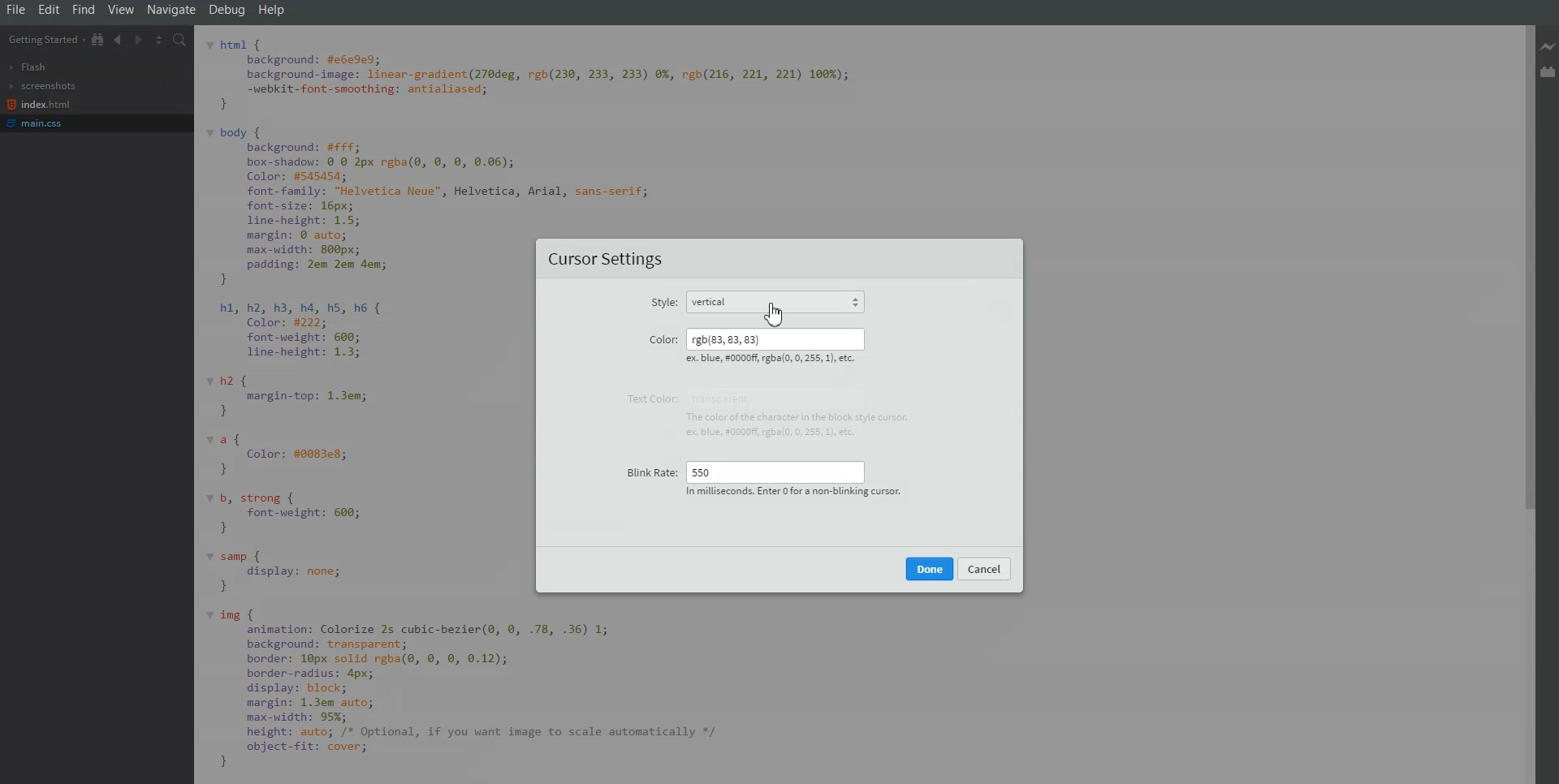 The height and width of the screenshot is (784, 1559). I want to click on 550, so click(775, 470).